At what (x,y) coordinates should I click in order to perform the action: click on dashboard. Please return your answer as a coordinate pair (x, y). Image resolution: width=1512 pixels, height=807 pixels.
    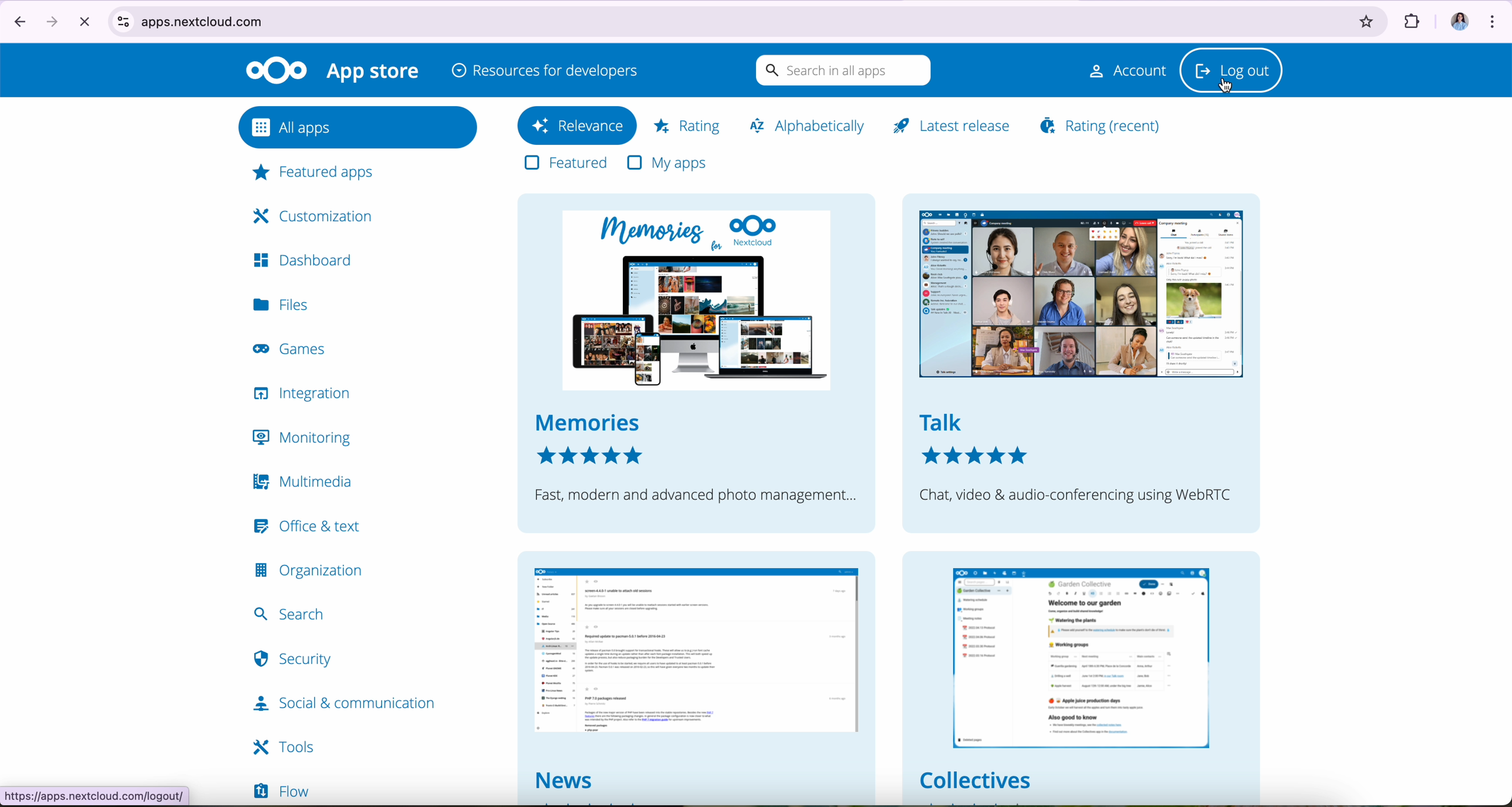
    Looking at the image, I should click on (301, 261).